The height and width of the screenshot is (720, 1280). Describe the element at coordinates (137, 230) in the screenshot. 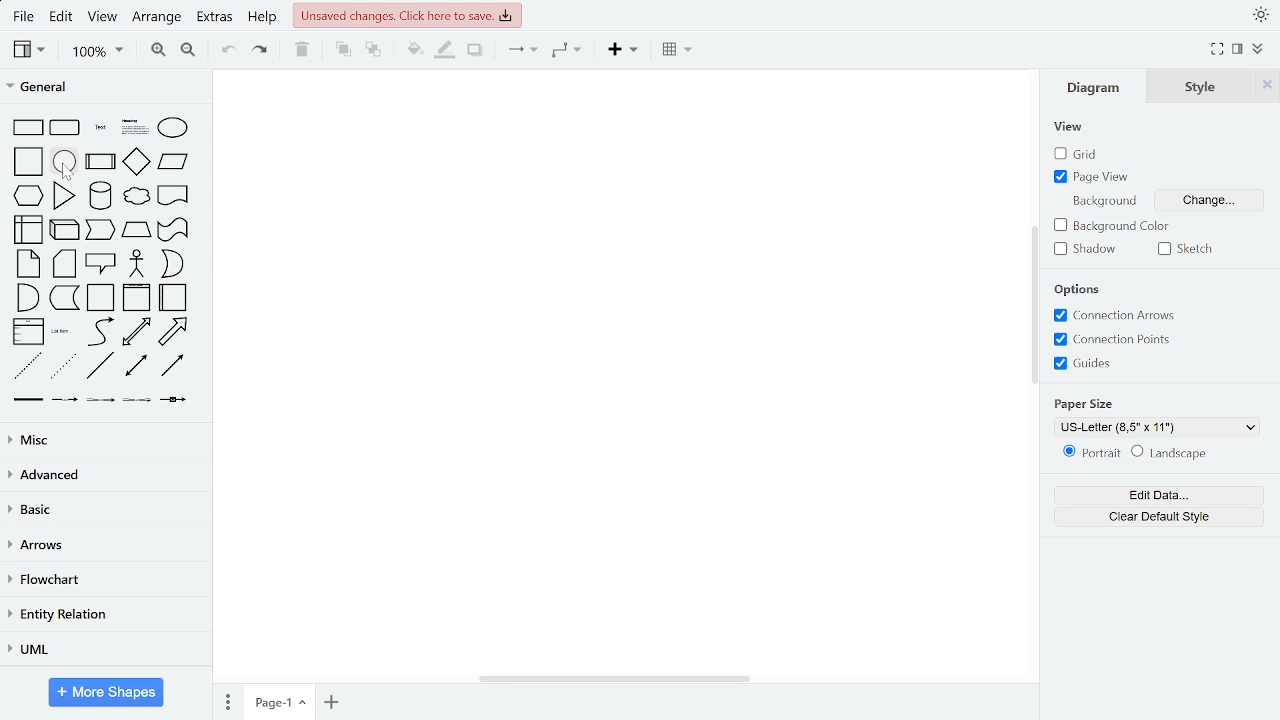

I see `trapezoid` at that location.